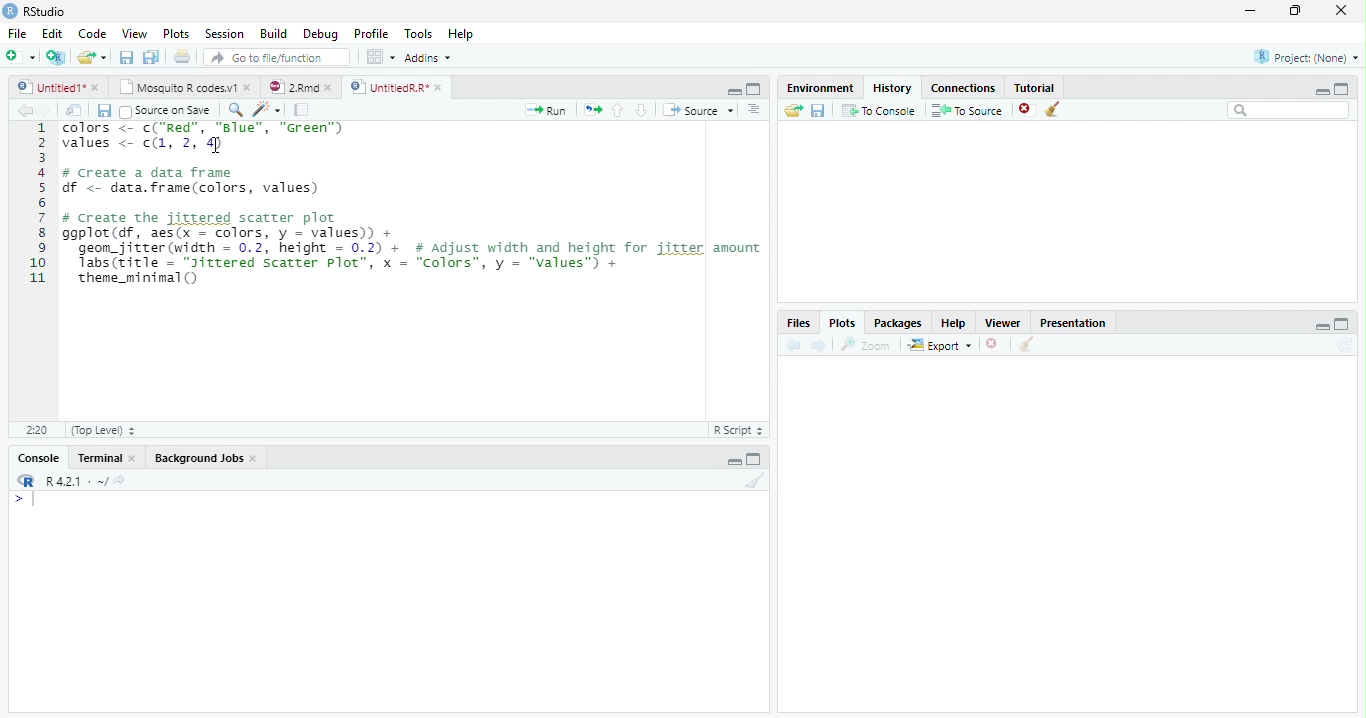 This screenshot has width=1366, height=718. Describe the element at coordinates (739, 430) in the screenshot. I see `R Script` at that location.